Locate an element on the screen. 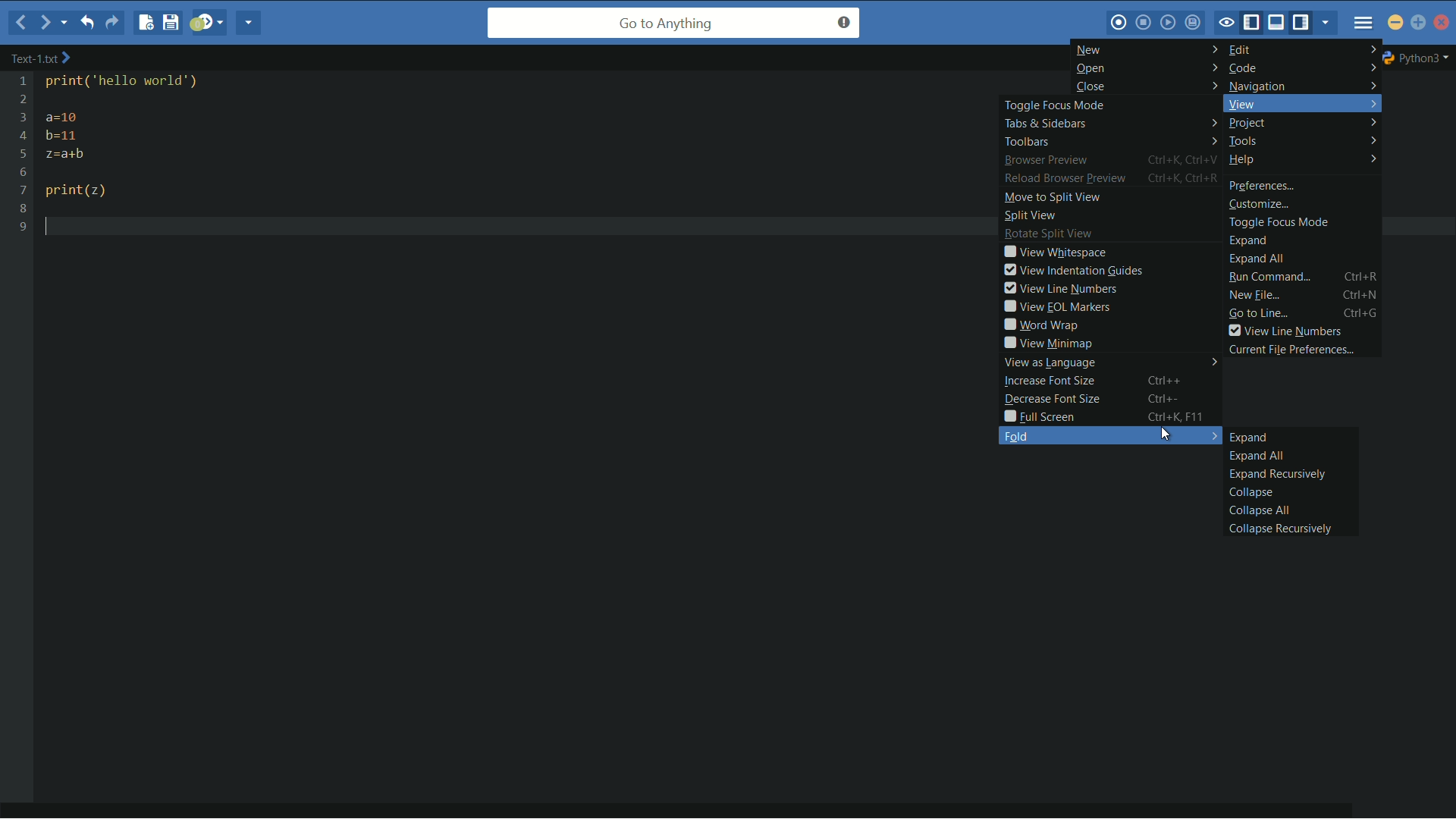 Image resolution: width=1456 pixels, height=819 pixels. python3 is located at coordinates (1420, 57).